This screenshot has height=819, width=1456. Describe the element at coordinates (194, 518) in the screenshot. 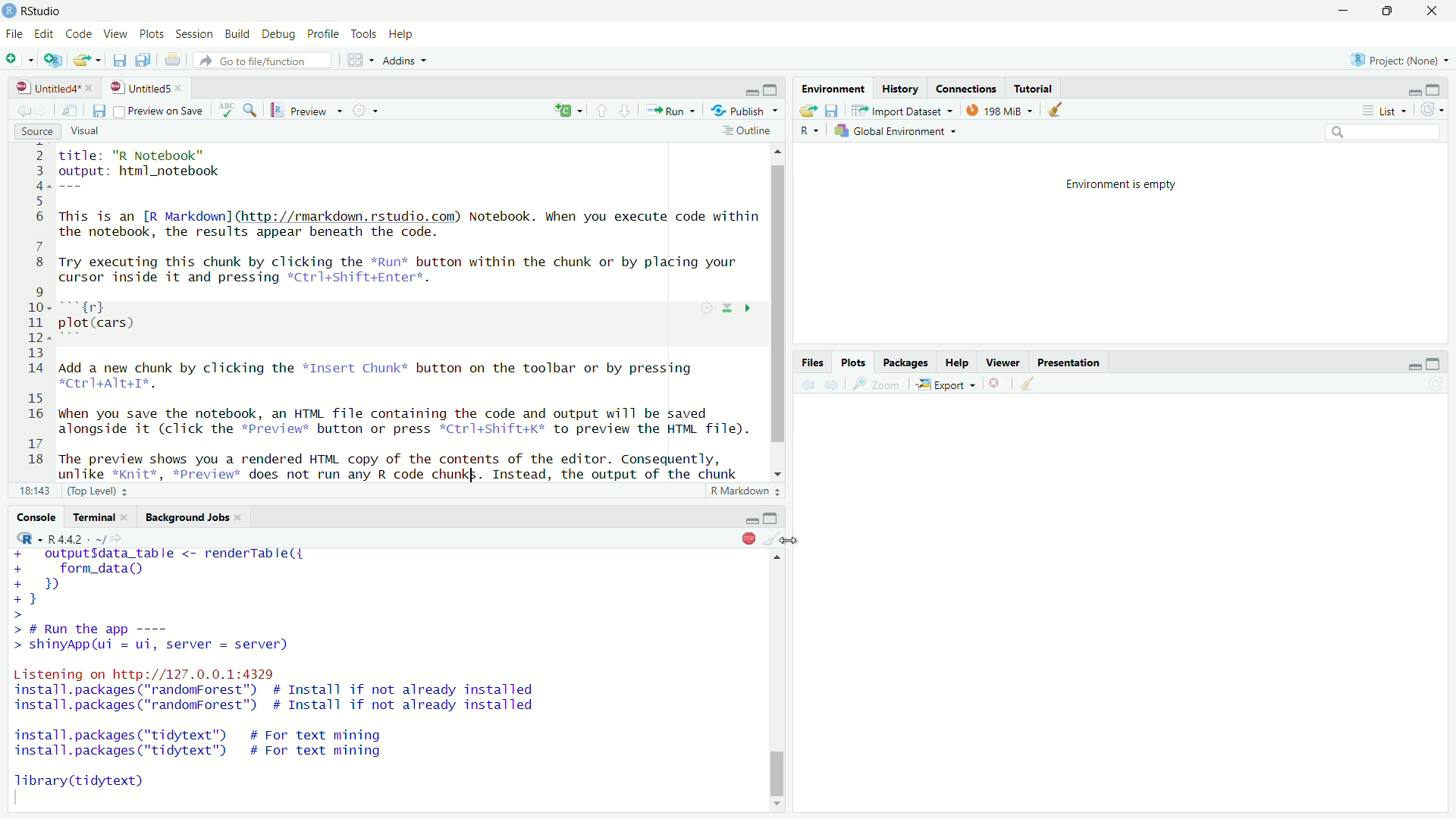

I see `Background Jobs` at that location.